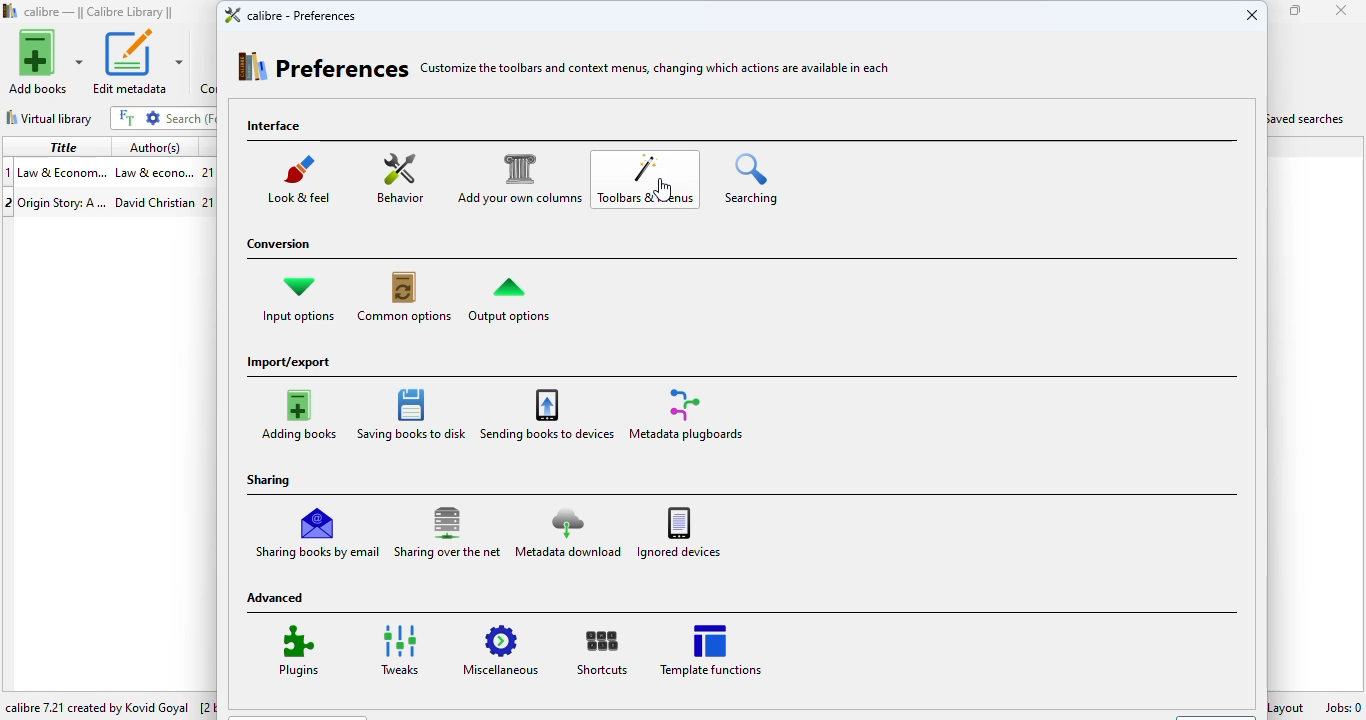 The height and width of the screenshot is (720, 1366). I want to click on maximize, so click(1296, 10).